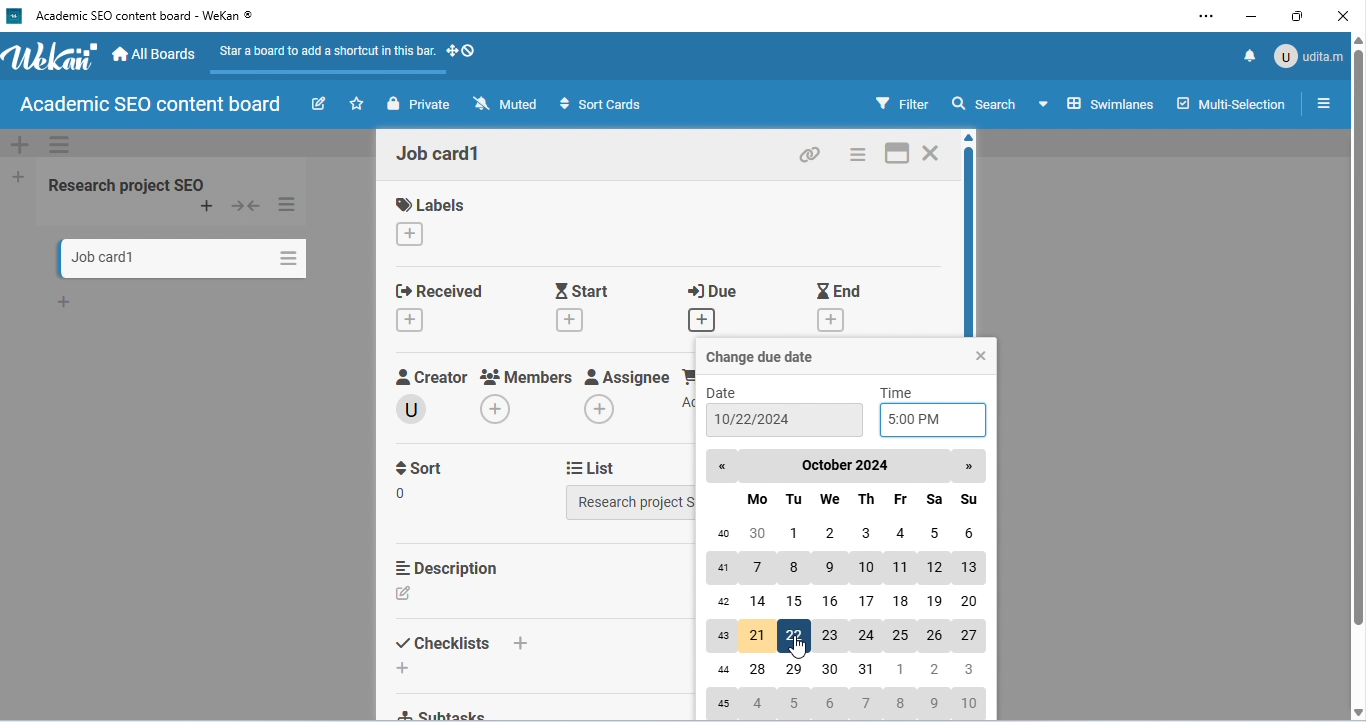  What do you see at coordinates (857, 154) in the screenshot?
I see `card actions` at bounding box center [857, 154].